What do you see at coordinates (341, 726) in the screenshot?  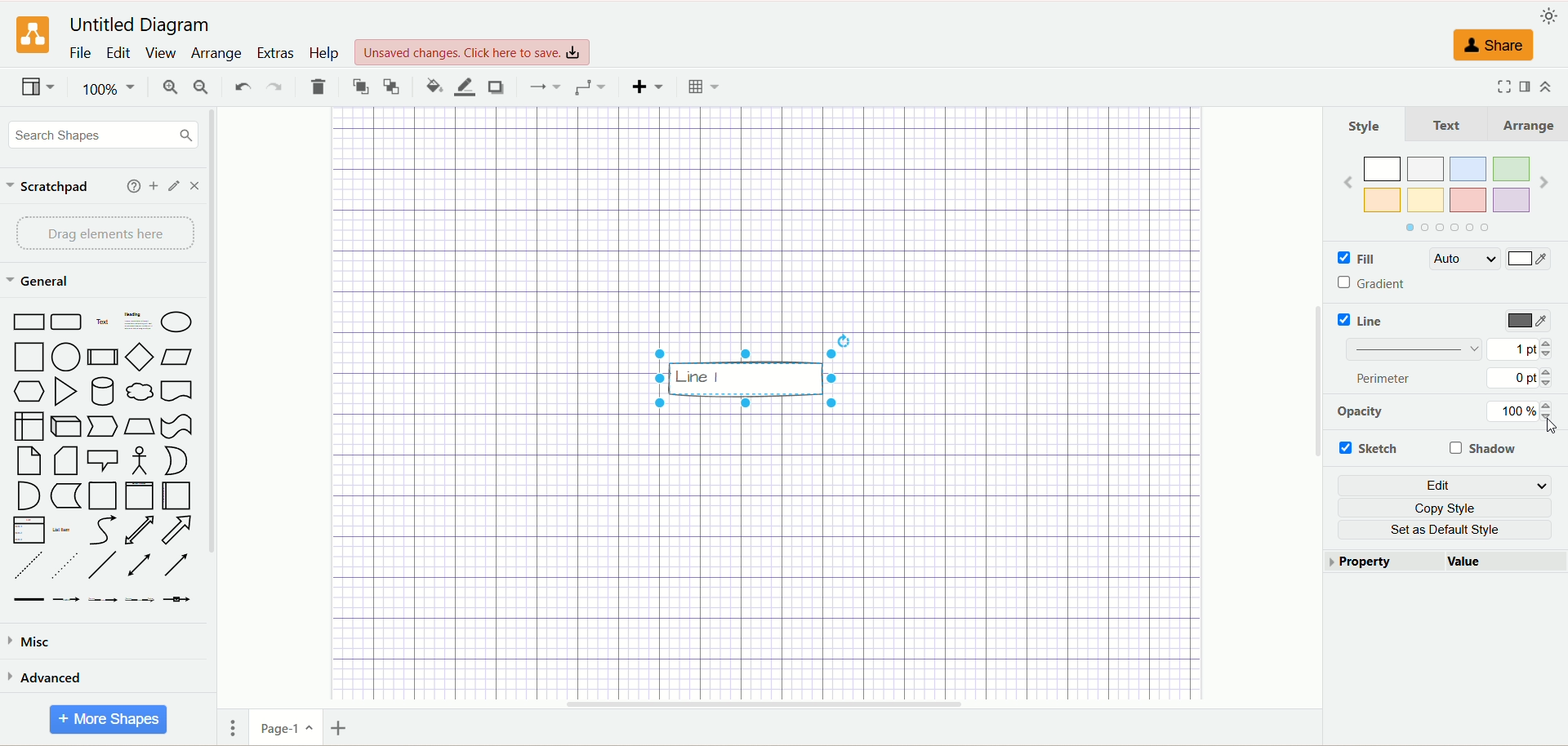 I see `insert page` at bounding box center [341, 726].